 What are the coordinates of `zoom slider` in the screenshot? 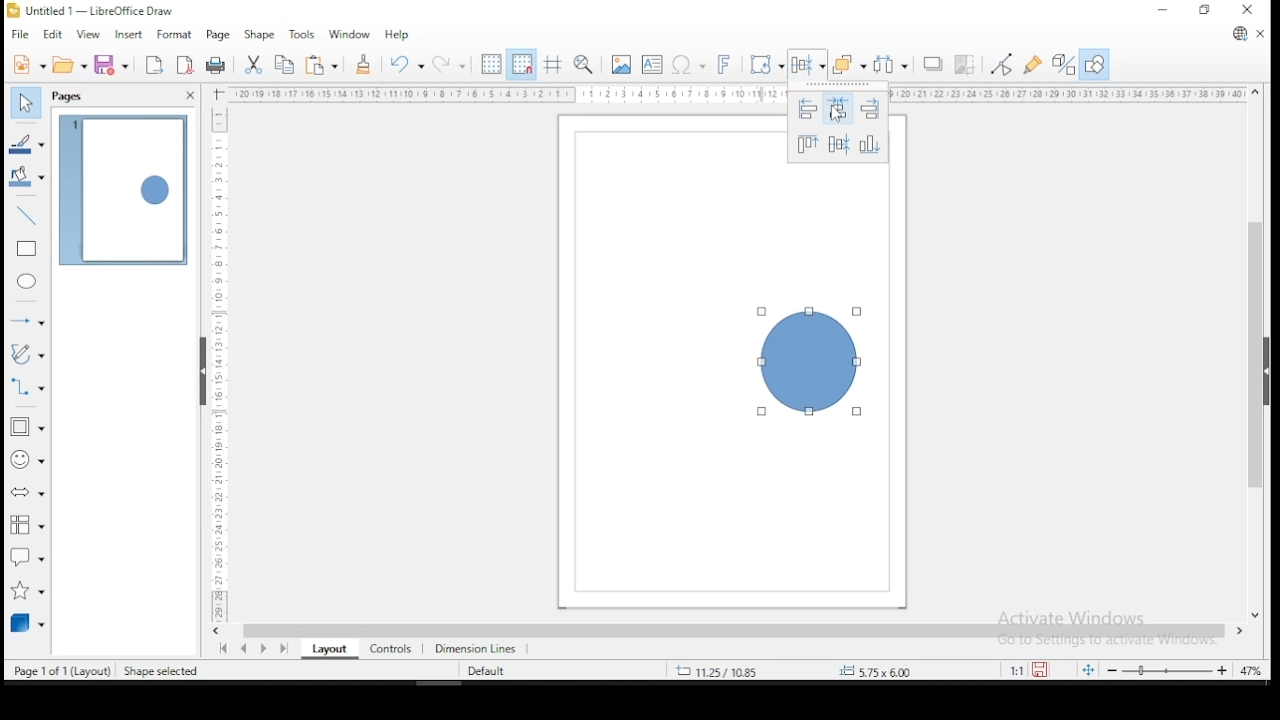 It's located at (1166, 669).